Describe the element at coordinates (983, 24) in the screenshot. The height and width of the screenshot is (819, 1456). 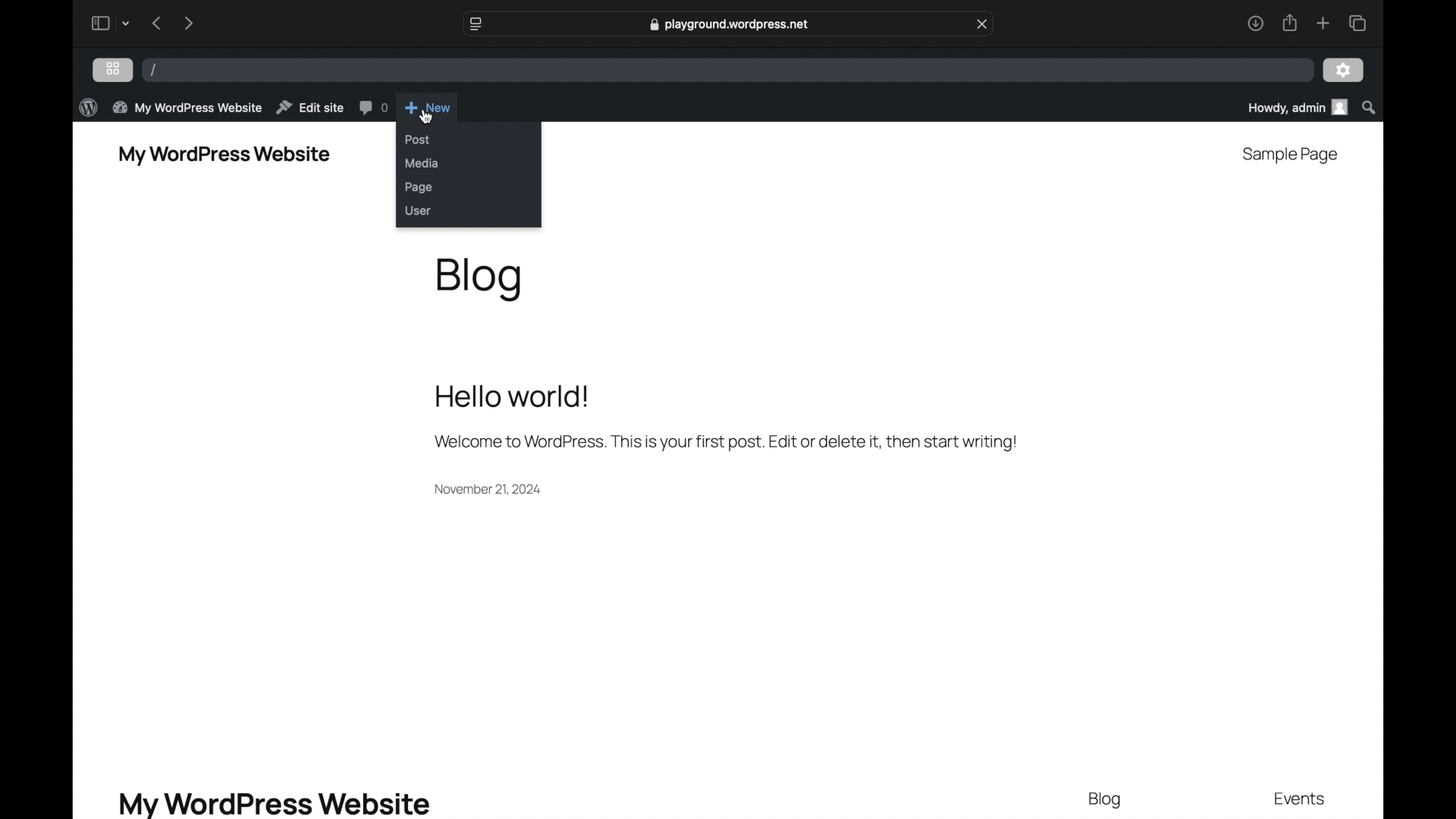
I see `close` at that location.